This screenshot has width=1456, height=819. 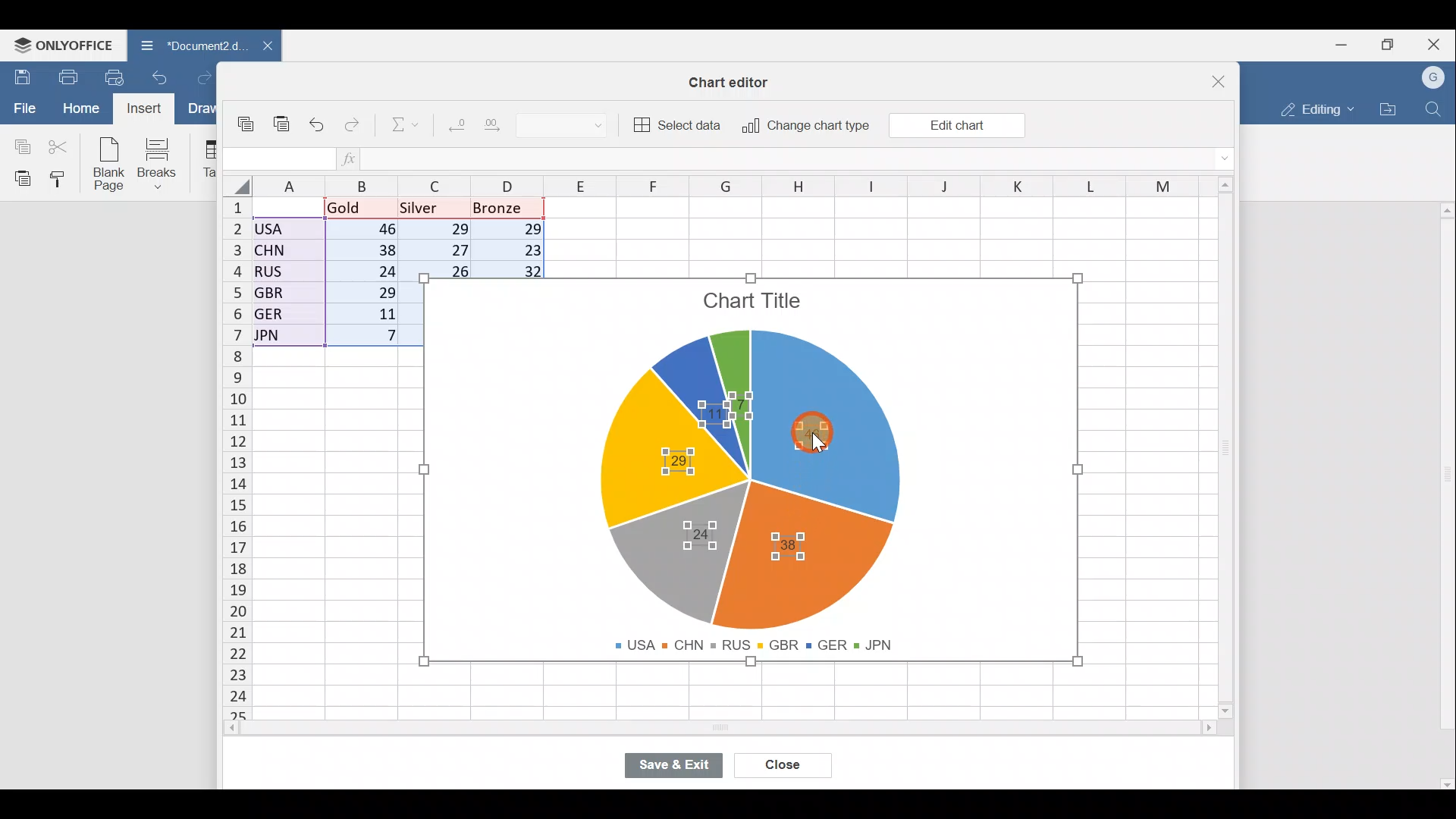 I want to click on Redo, so click(x=210, y=79).